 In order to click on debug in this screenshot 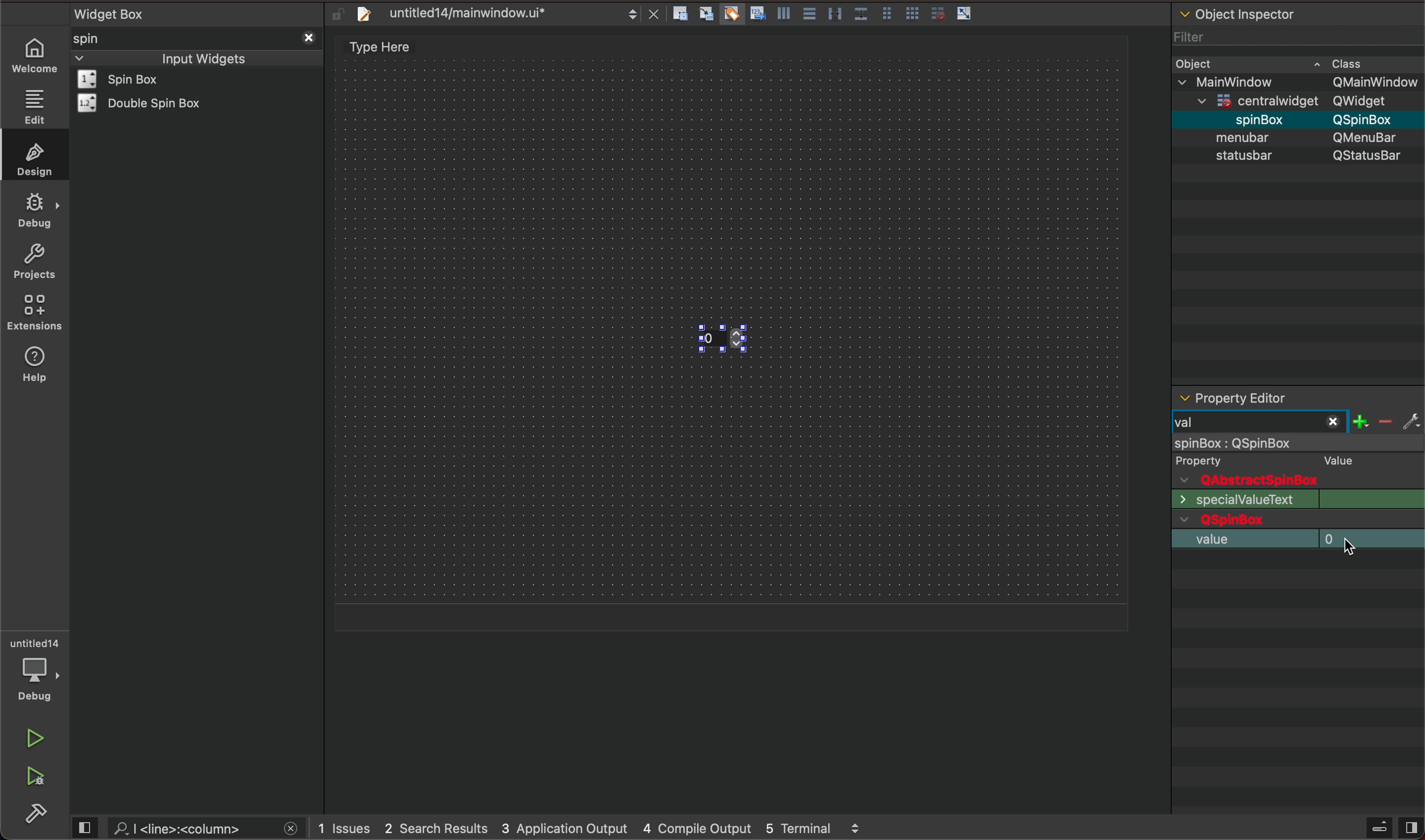, I will do `click(35, 211)`.